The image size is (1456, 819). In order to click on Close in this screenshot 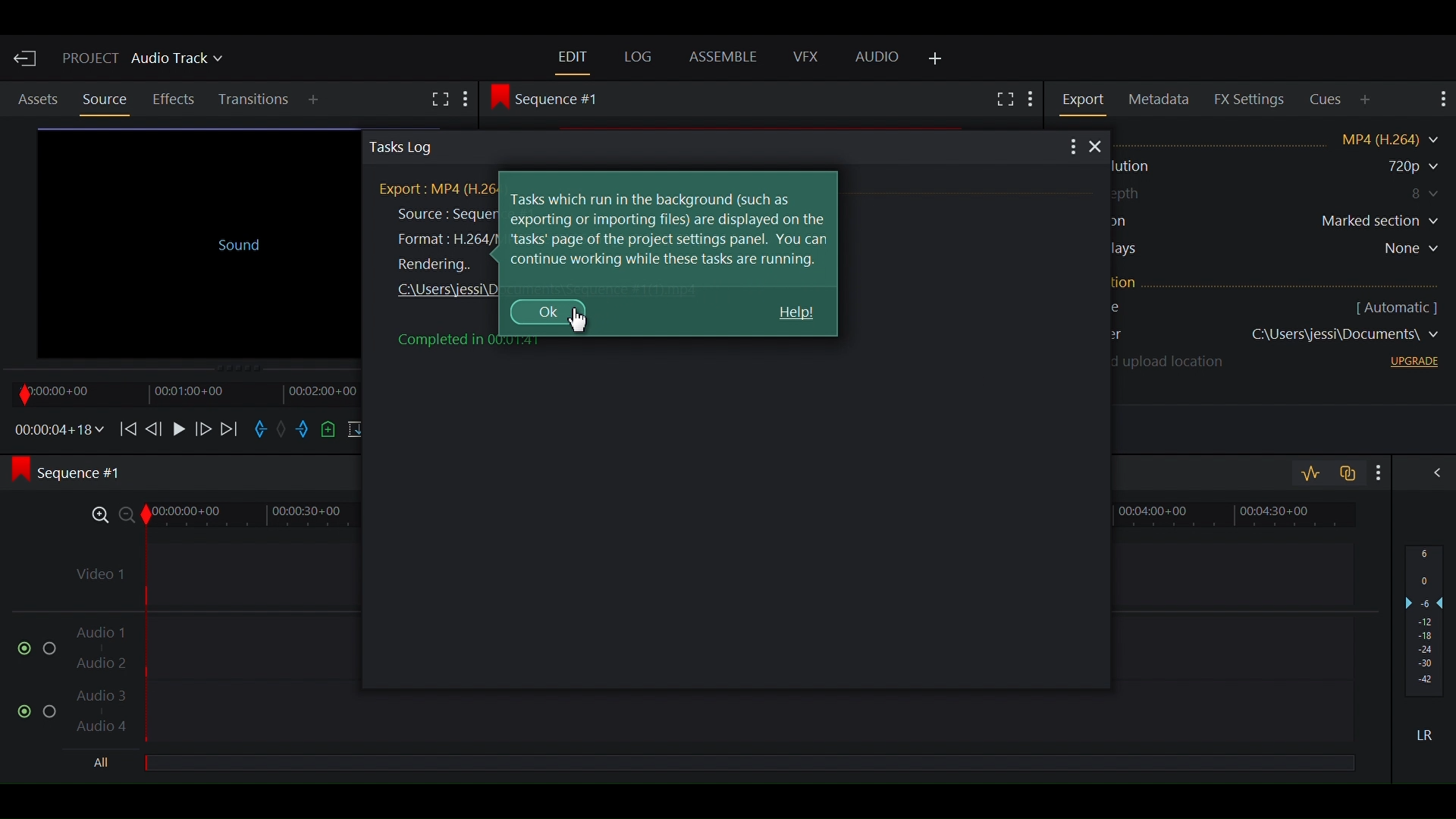, I will do `click(1098, 148)`.